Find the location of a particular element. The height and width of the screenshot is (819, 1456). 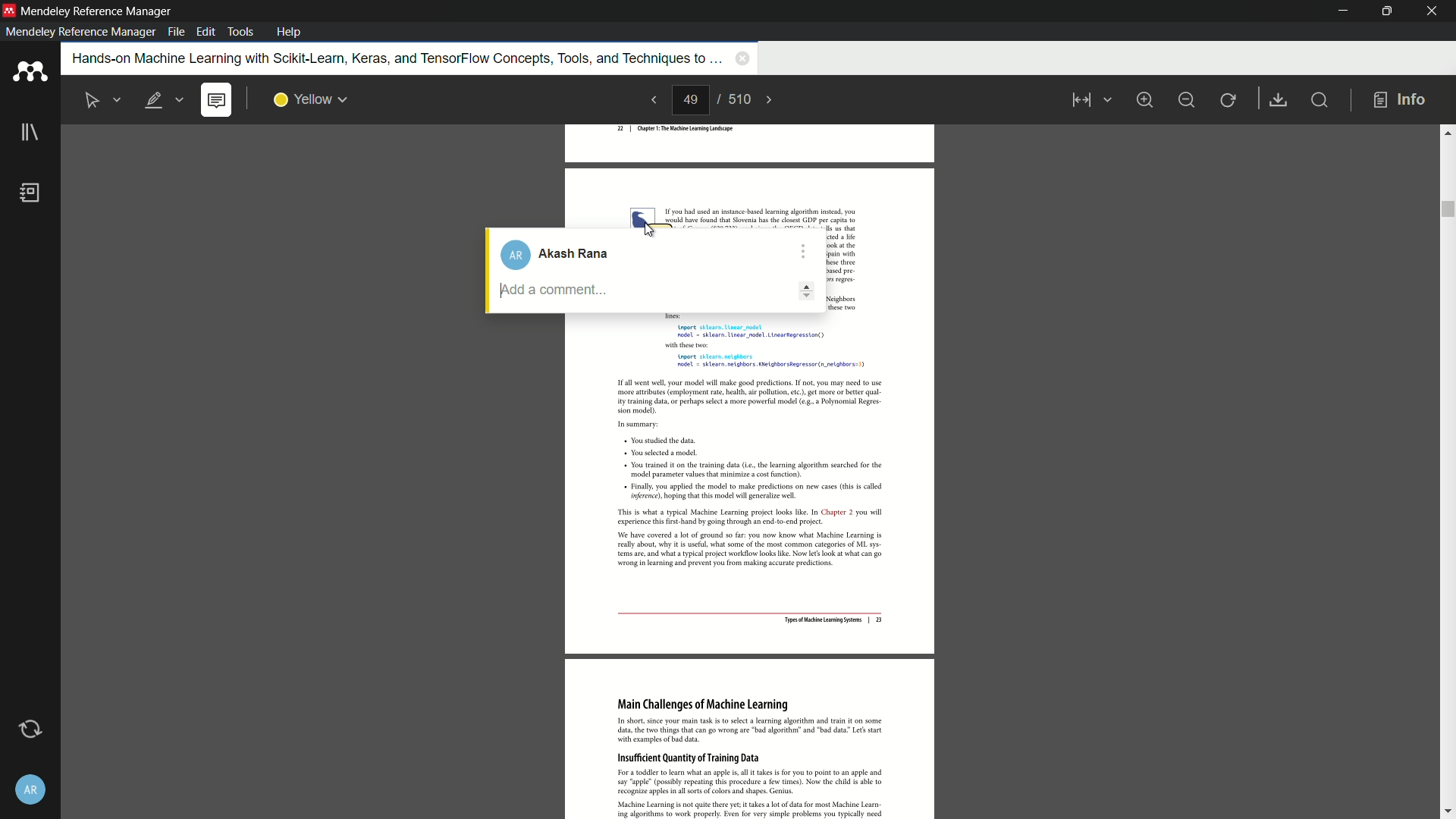

book is located at coordinates (33, 194).